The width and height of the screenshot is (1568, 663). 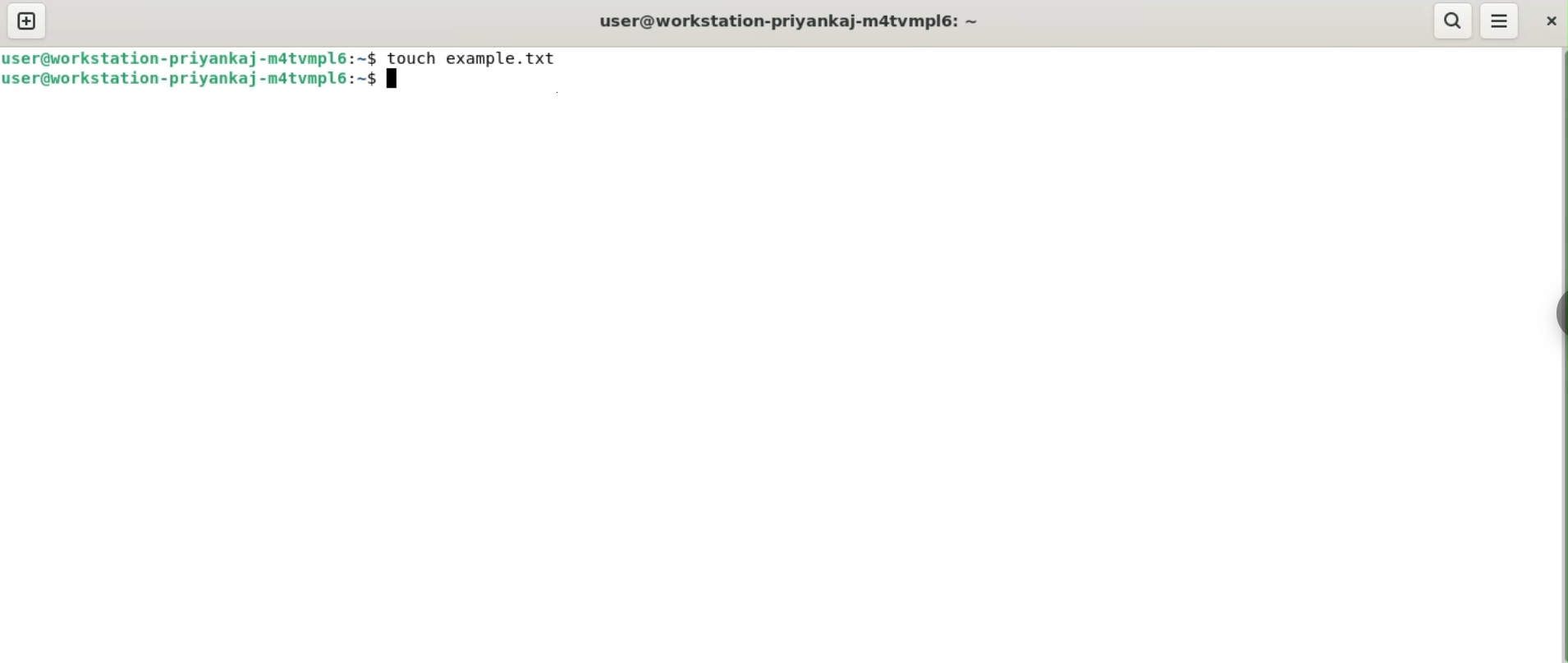 I want to click on sidebar, so click(x=1556, y=313).